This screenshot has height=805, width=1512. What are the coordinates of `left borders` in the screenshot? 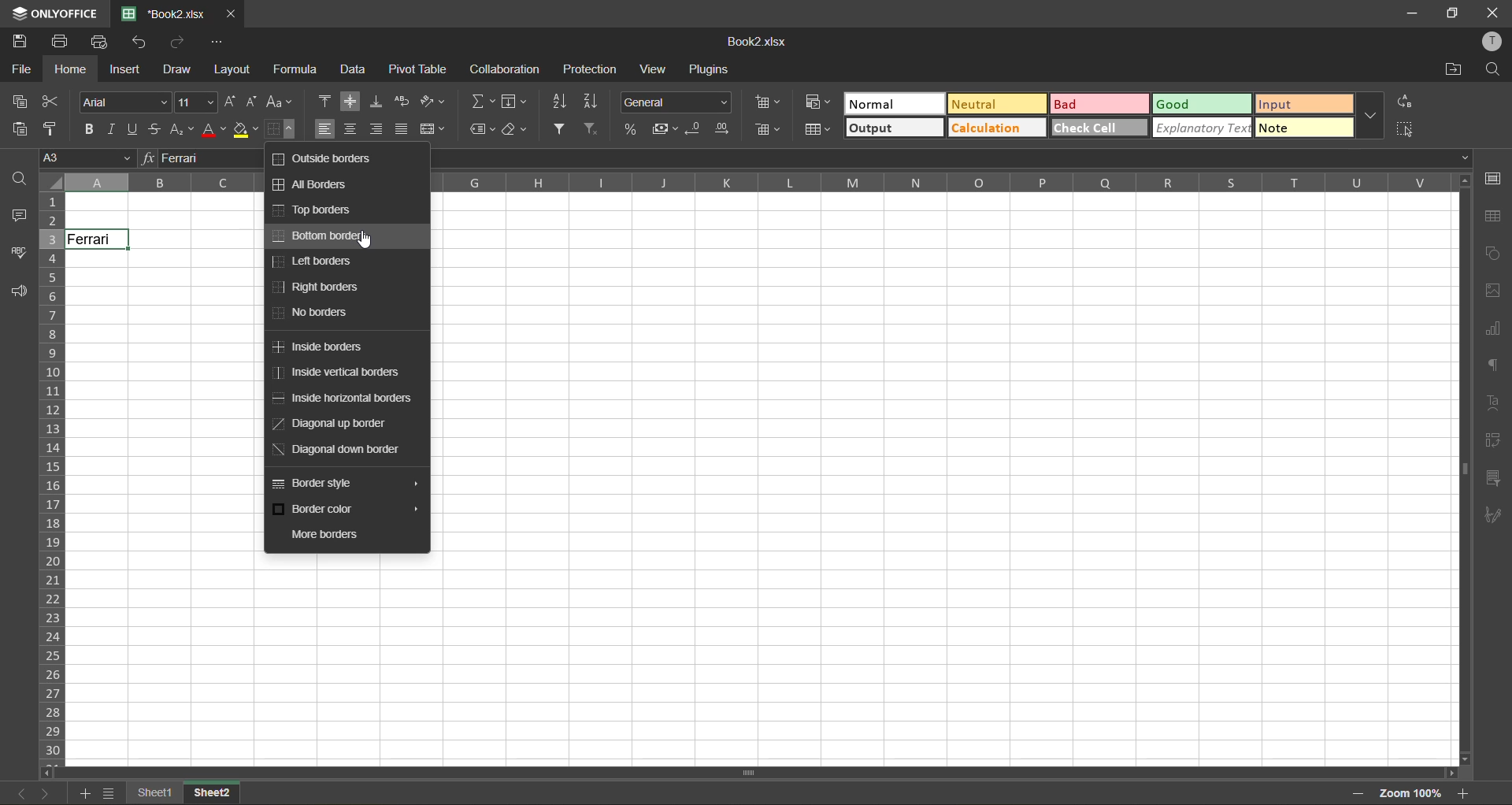 It's located at (317, 262).